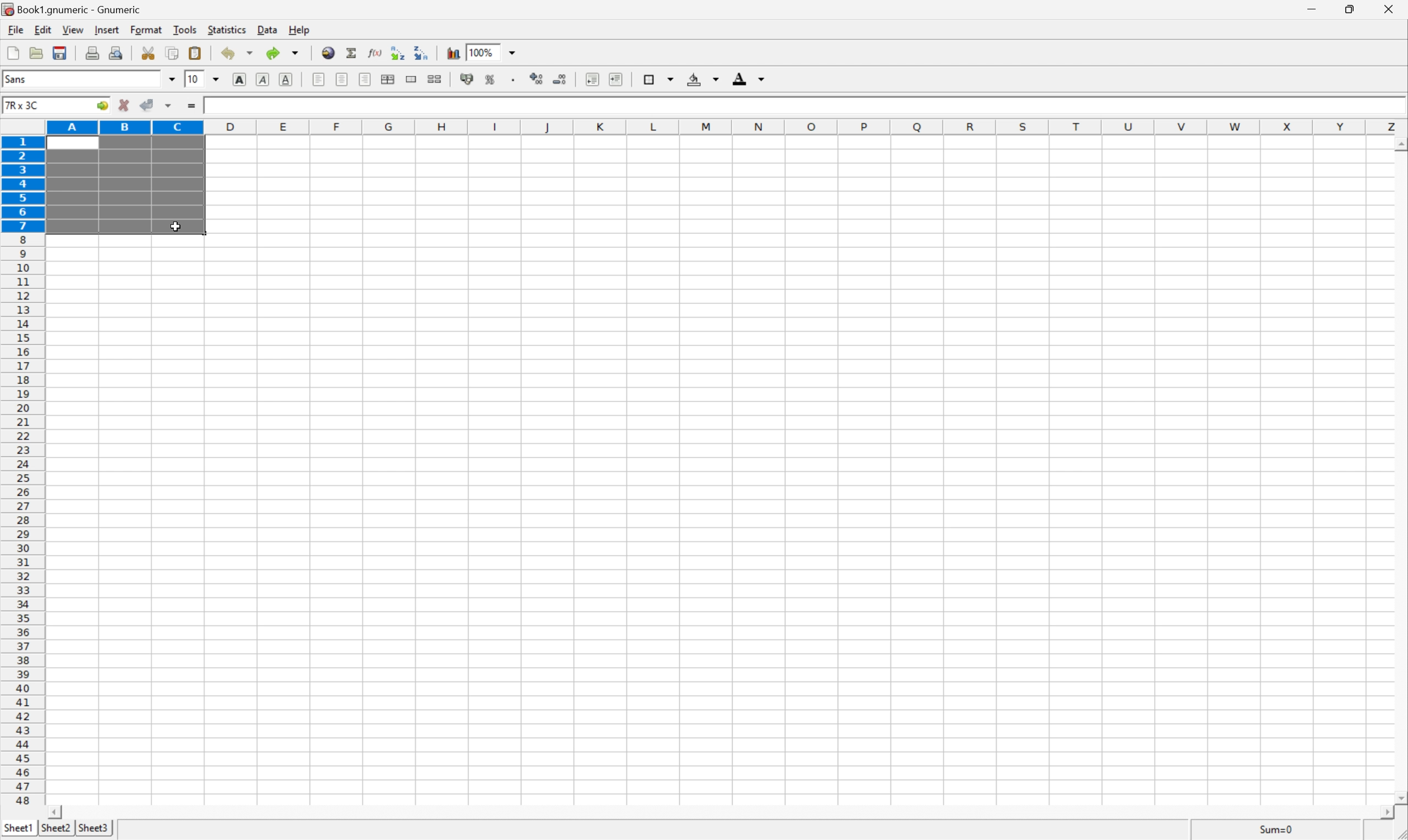 This screenshot has height=840, width=1408. Describe the element at coordinates (15, 29) in the screenshot. I see `file` at that location.